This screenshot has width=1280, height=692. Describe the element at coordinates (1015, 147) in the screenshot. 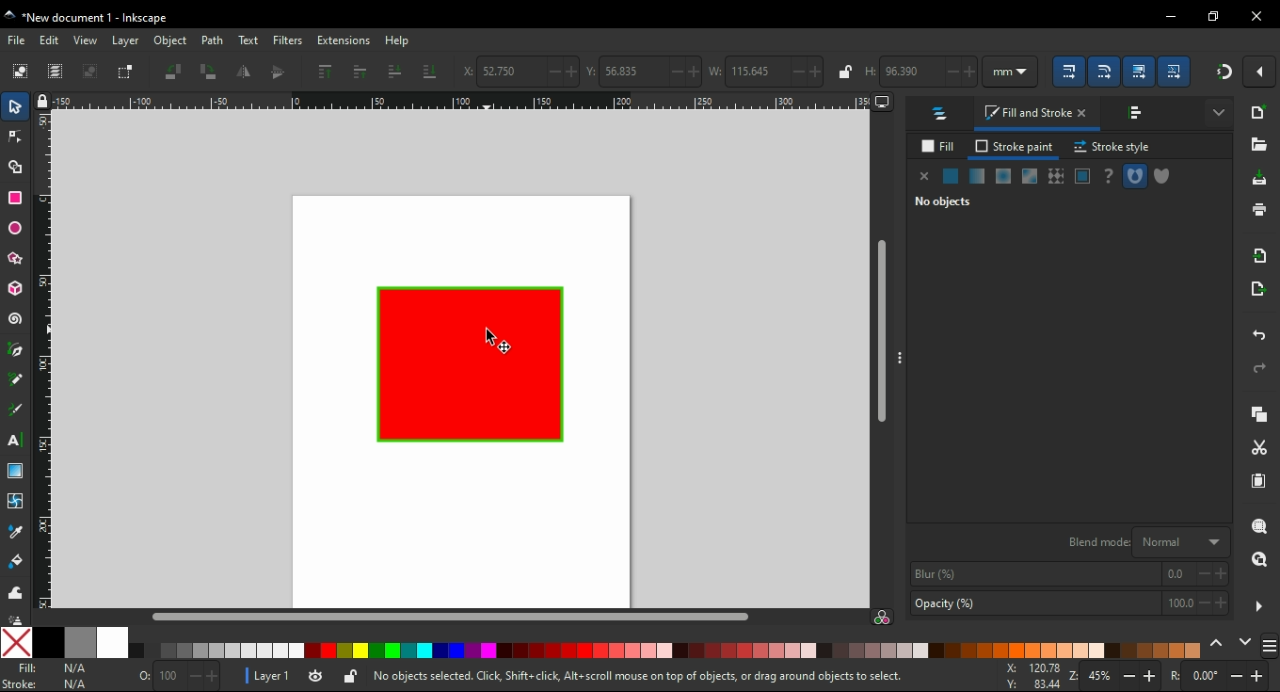

I see `stroke paint` at that location.